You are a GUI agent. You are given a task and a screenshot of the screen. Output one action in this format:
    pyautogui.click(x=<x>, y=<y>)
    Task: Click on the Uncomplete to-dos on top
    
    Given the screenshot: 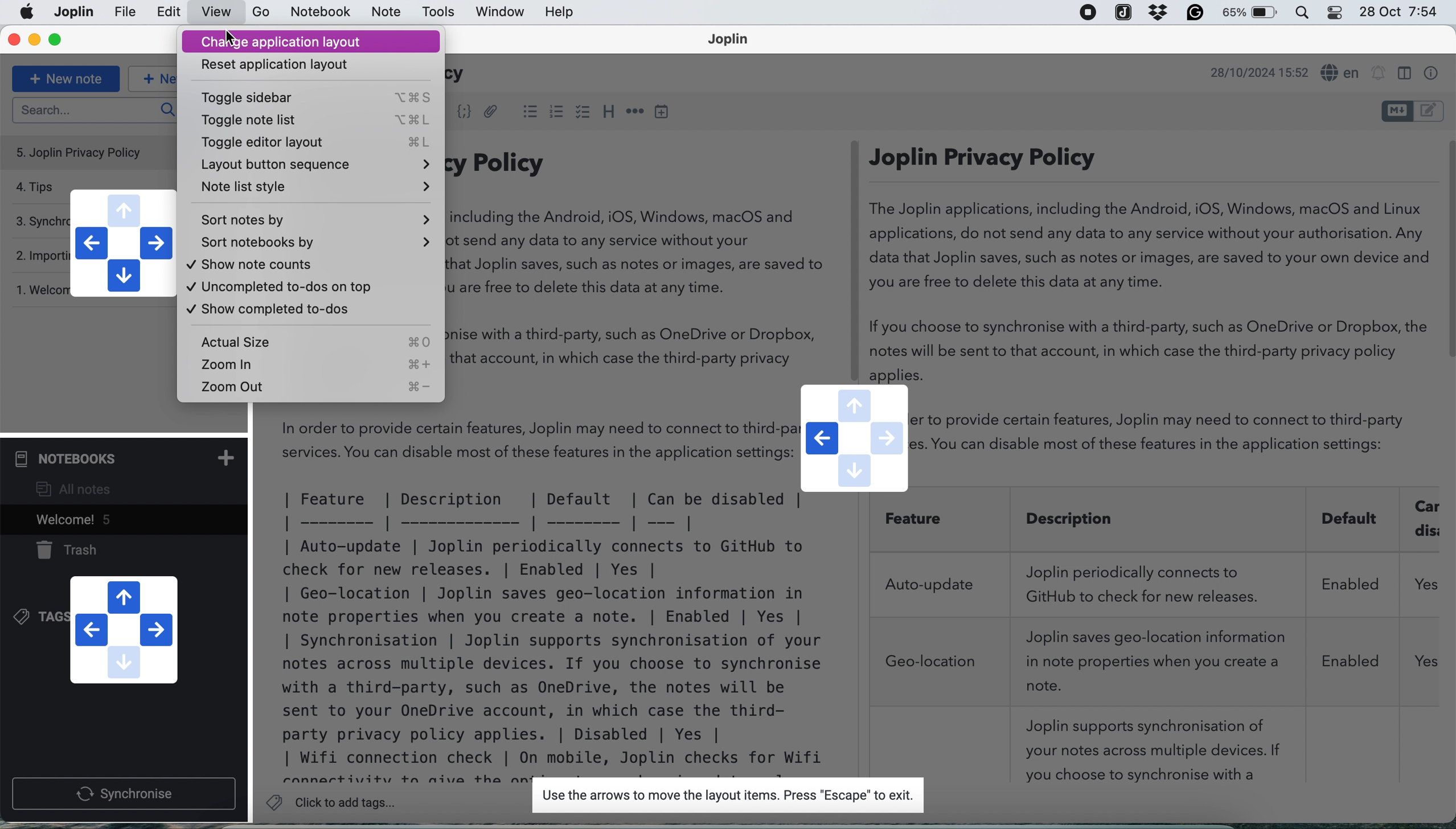 What is the action you would take?
    pyautogui.click(x=310, y=290)
    